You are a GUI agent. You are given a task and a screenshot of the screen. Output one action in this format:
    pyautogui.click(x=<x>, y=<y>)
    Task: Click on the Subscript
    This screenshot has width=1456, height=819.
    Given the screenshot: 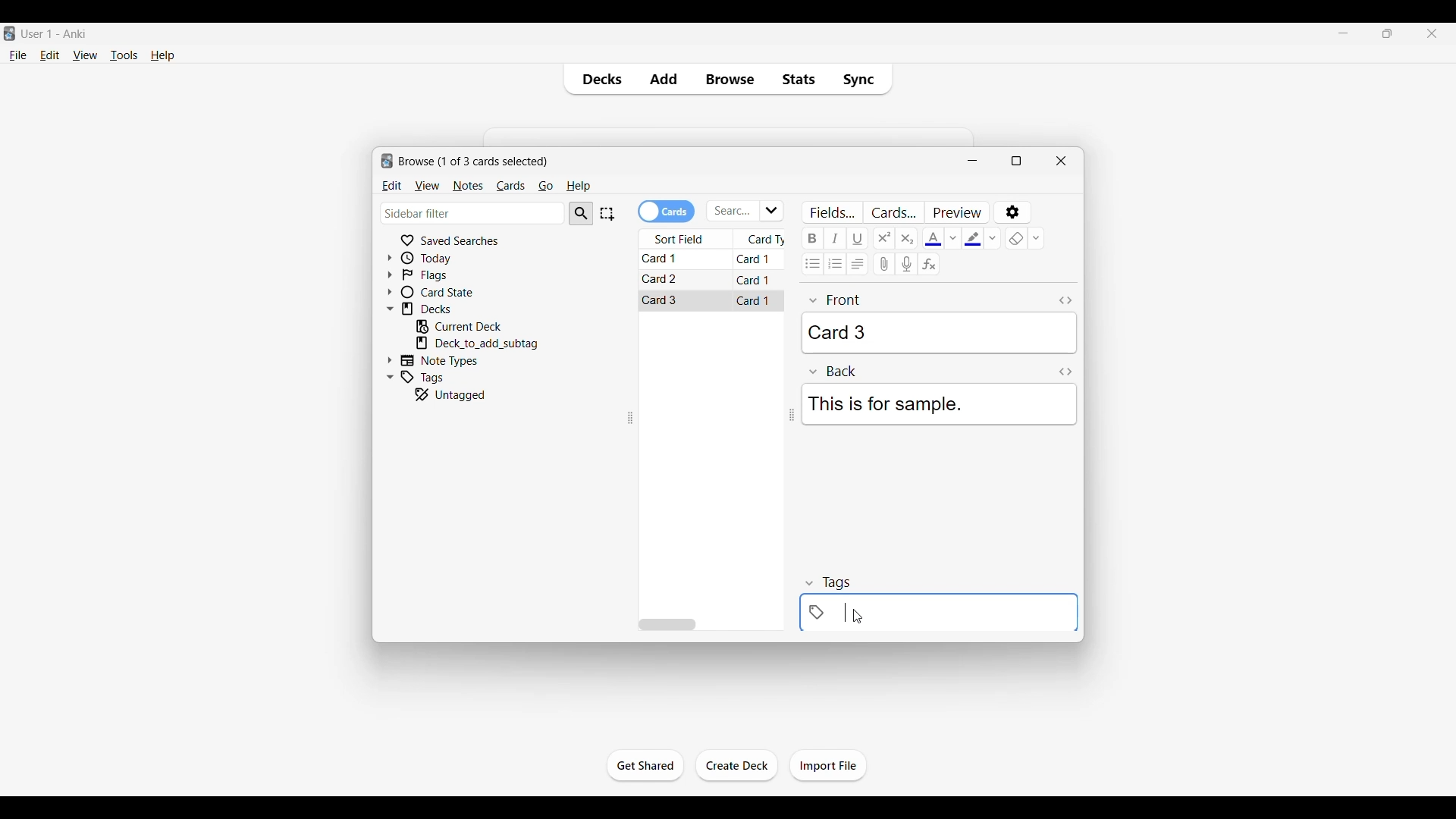 What is the action you would take?
    pyautogui.click(x=906, y=238)
    